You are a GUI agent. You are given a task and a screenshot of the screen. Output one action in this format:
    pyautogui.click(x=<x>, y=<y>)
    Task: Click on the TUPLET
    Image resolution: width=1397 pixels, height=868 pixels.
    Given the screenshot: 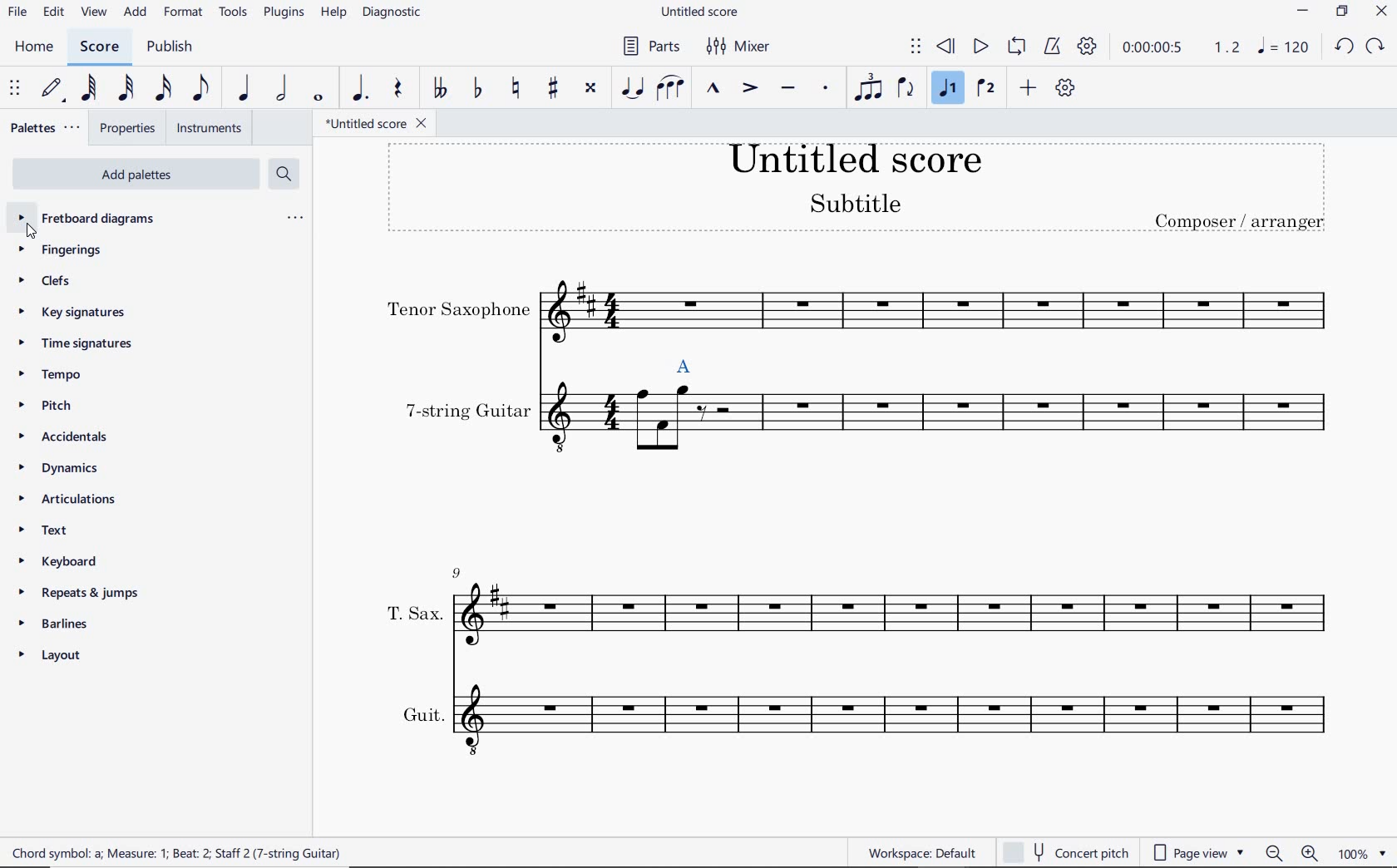 What is the action you would take?
    pyautogui.click(x=869, y=89)
    